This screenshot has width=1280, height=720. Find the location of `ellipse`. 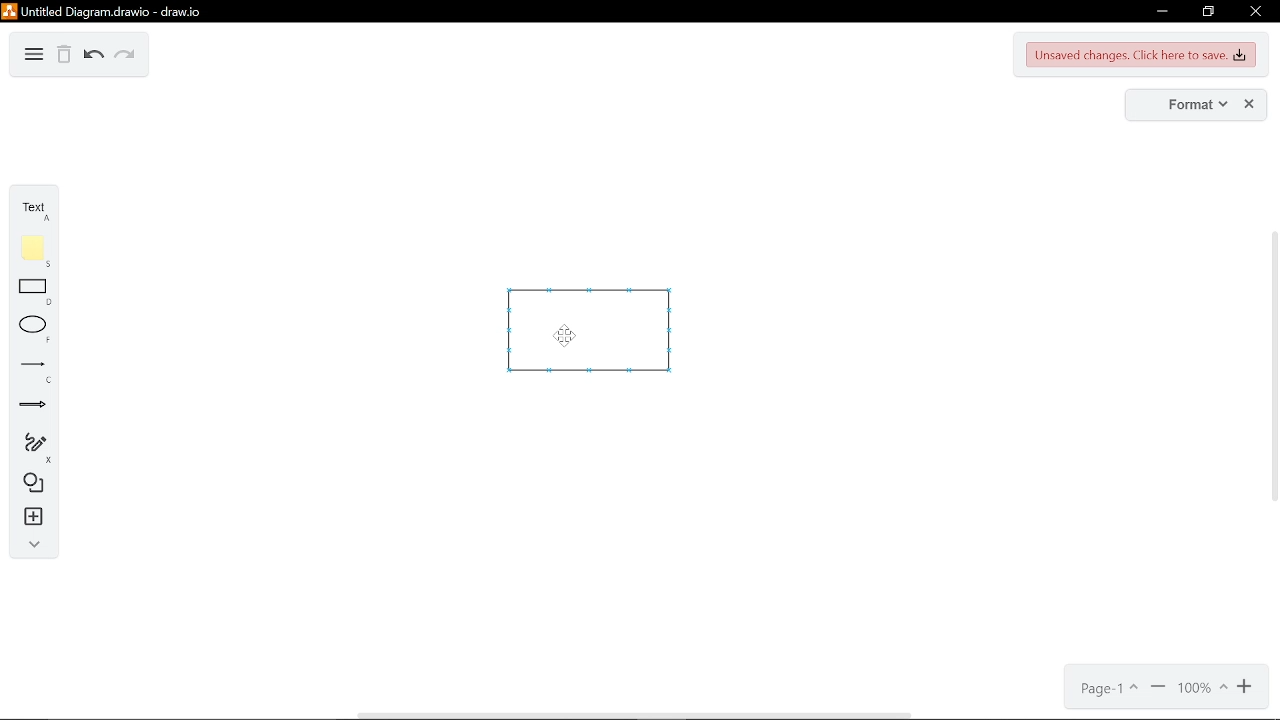

ellipse is located at coordinates (35, 330).